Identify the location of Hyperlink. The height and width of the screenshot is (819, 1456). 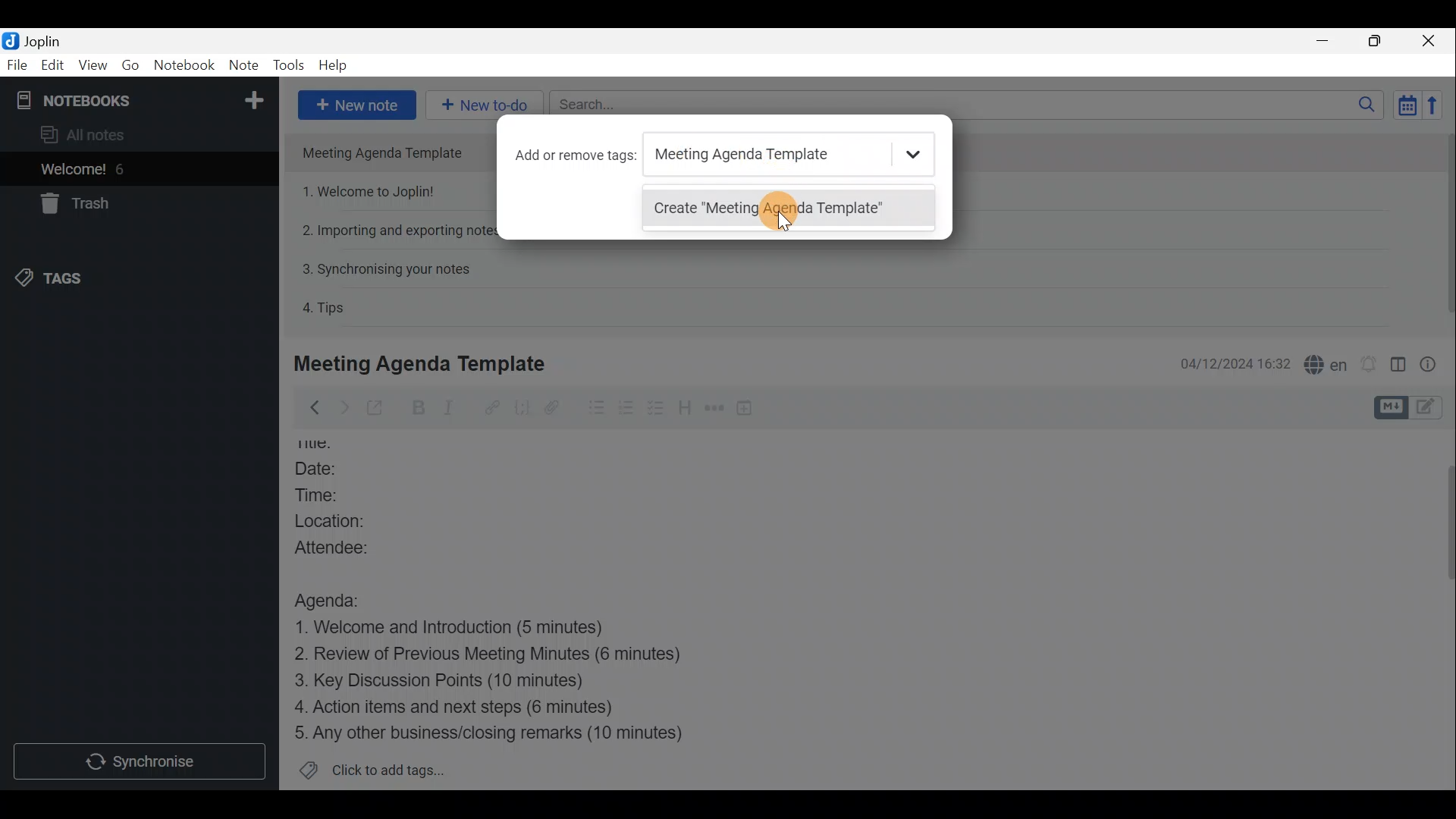
(494, 407).